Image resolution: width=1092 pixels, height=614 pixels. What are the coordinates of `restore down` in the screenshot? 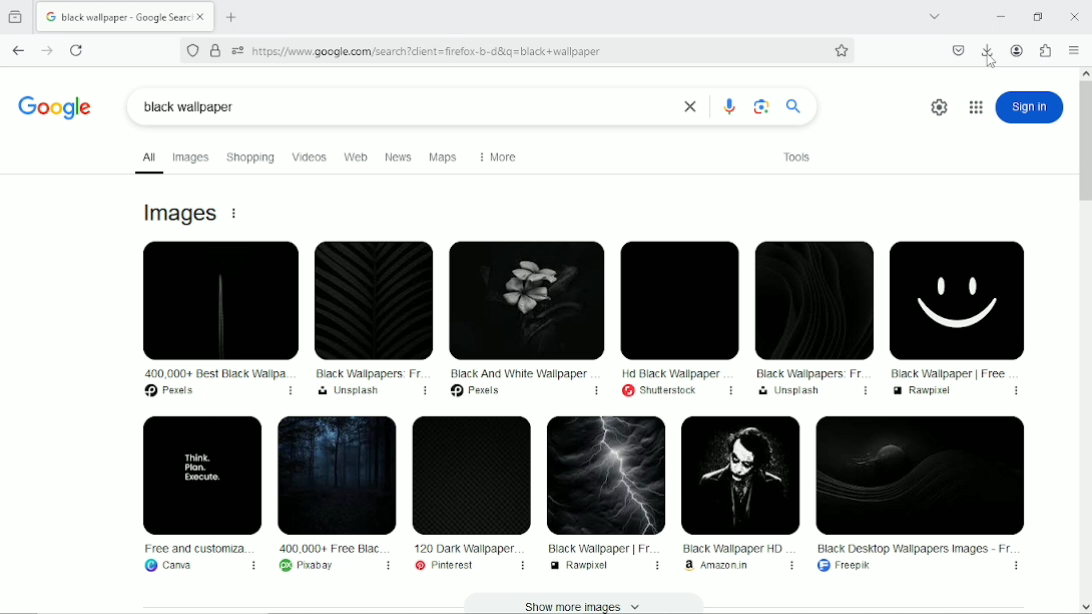 It's located at (1039, 17).